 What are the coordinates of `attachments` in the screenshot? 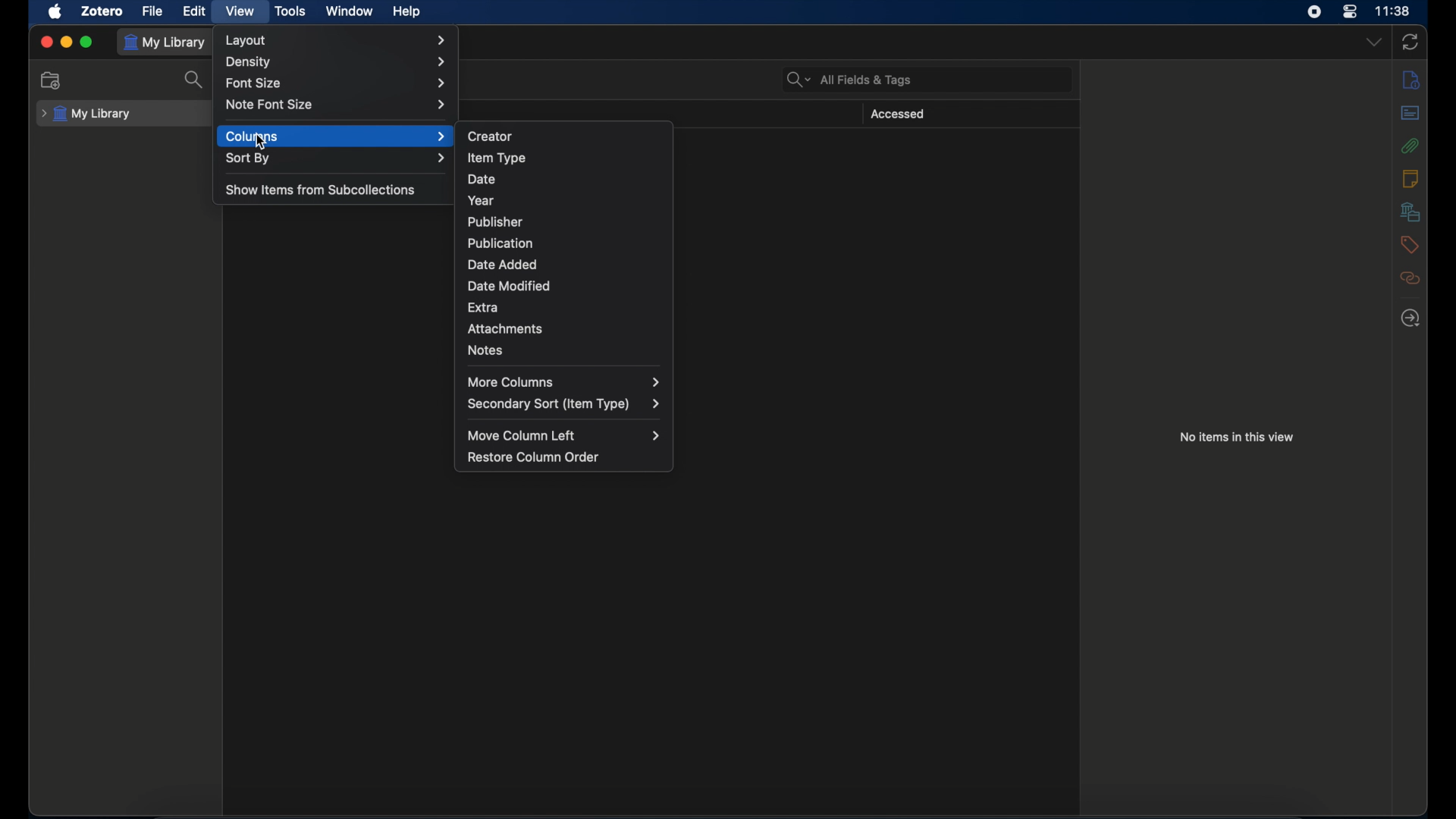 It's located at (506, 329).